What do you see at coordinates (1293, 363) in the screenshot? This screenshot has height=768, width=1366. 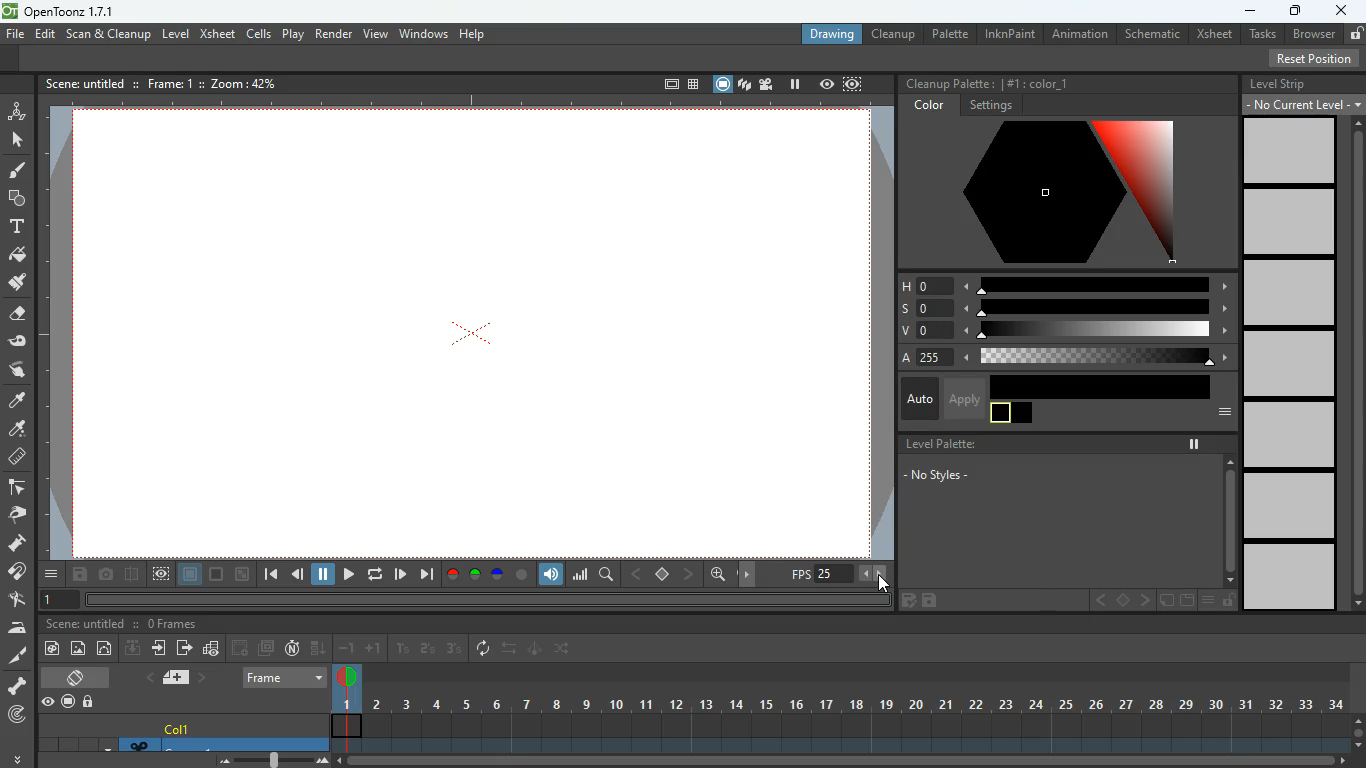 I see `level` at bounding box center [1293, 363].